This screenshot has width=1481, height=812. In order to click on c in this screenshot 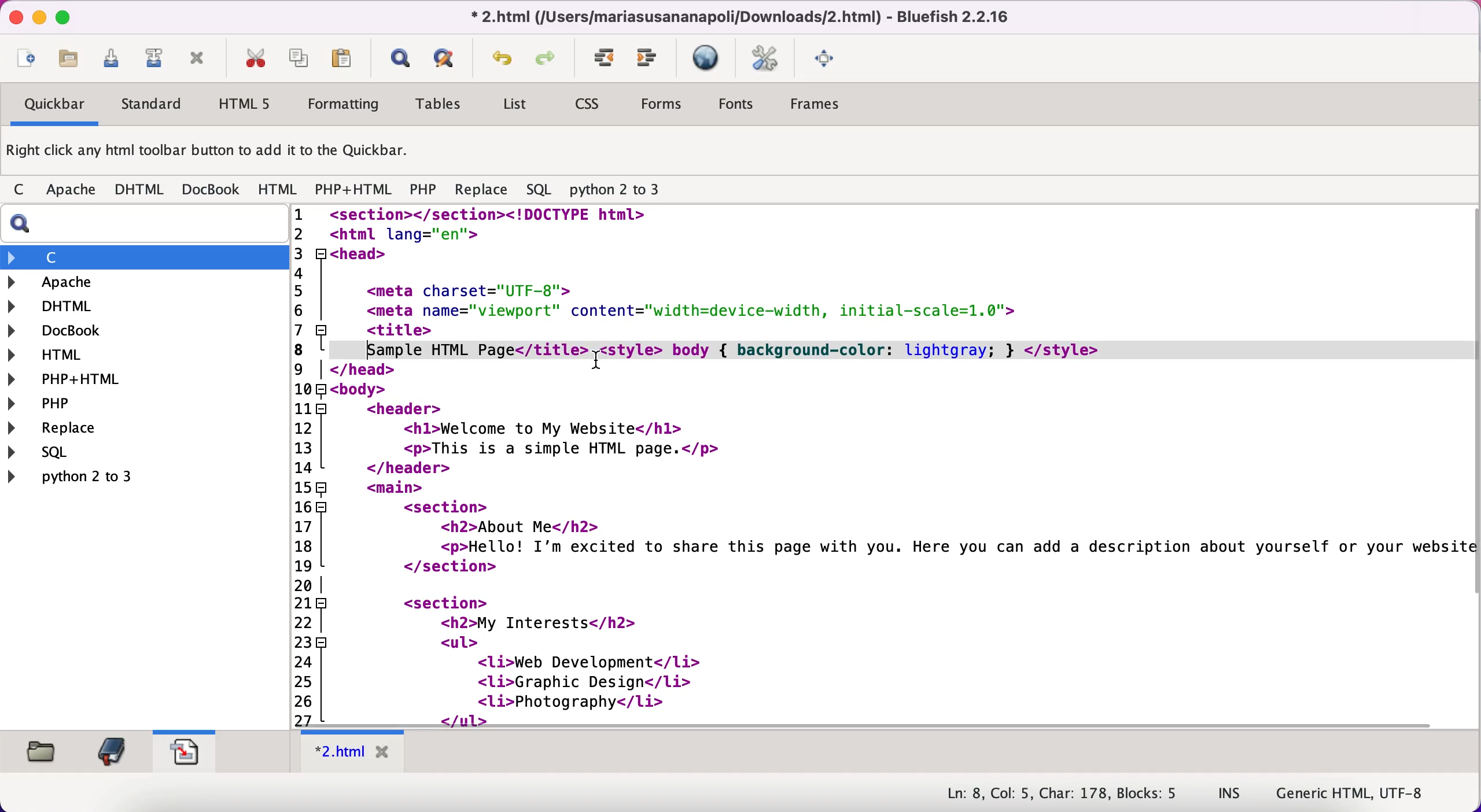, I will do `click(23, 191)`.